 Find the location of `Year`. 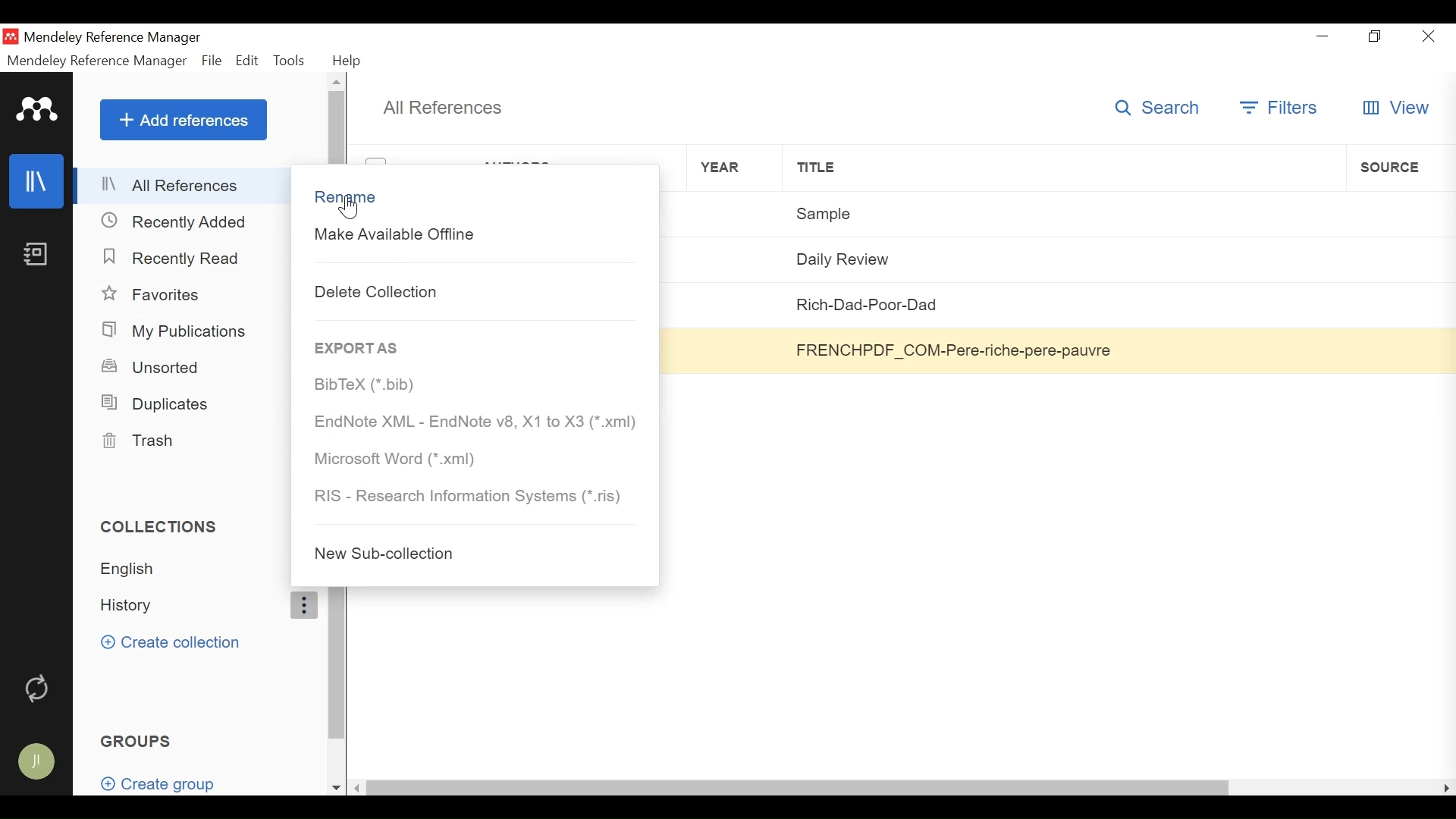

Year is located at coordinates (738, 349).